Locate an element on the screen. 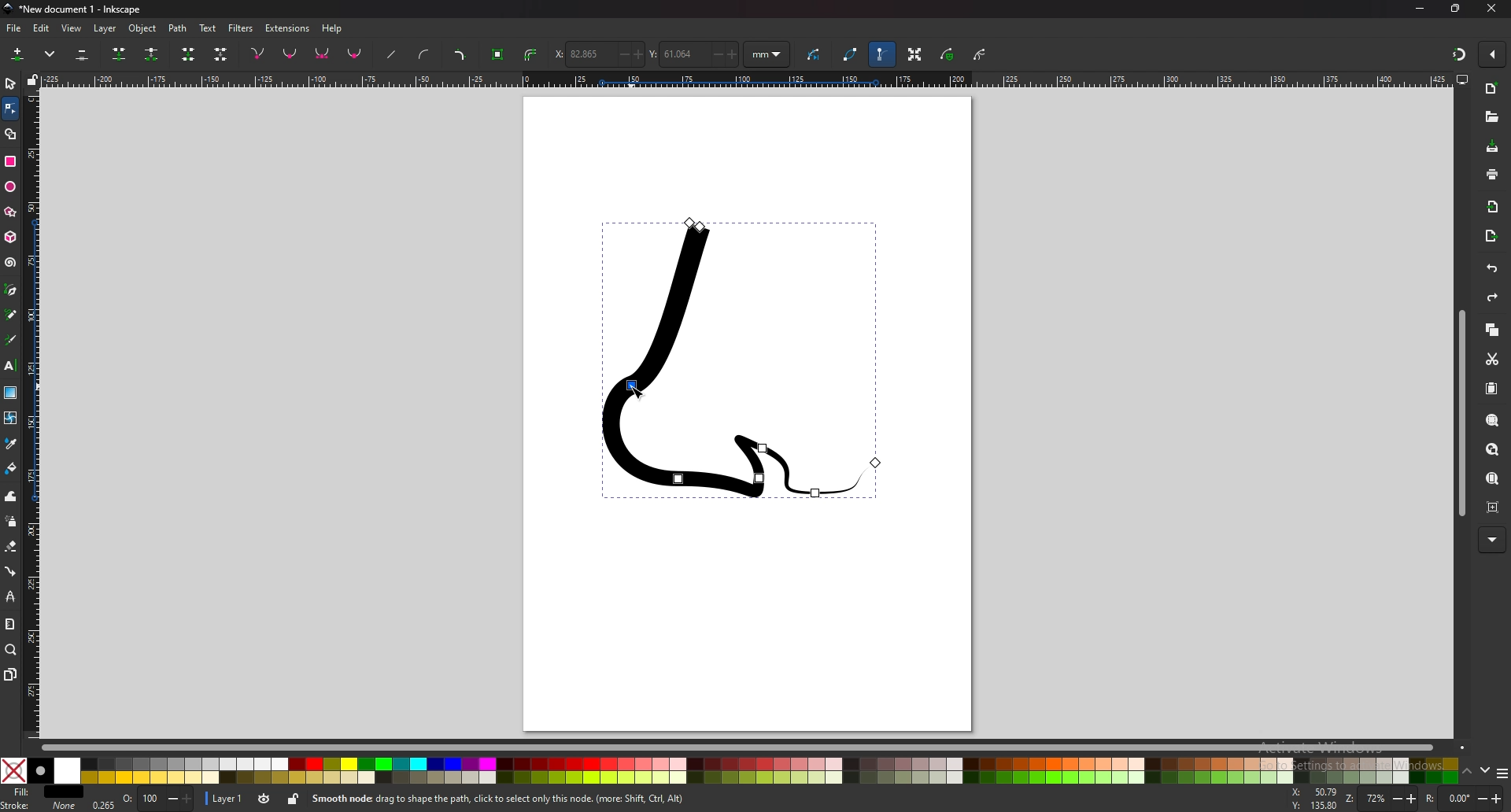 The height and width of the screenshot is (812, 1511). pages is located at coordinates (11, 674).